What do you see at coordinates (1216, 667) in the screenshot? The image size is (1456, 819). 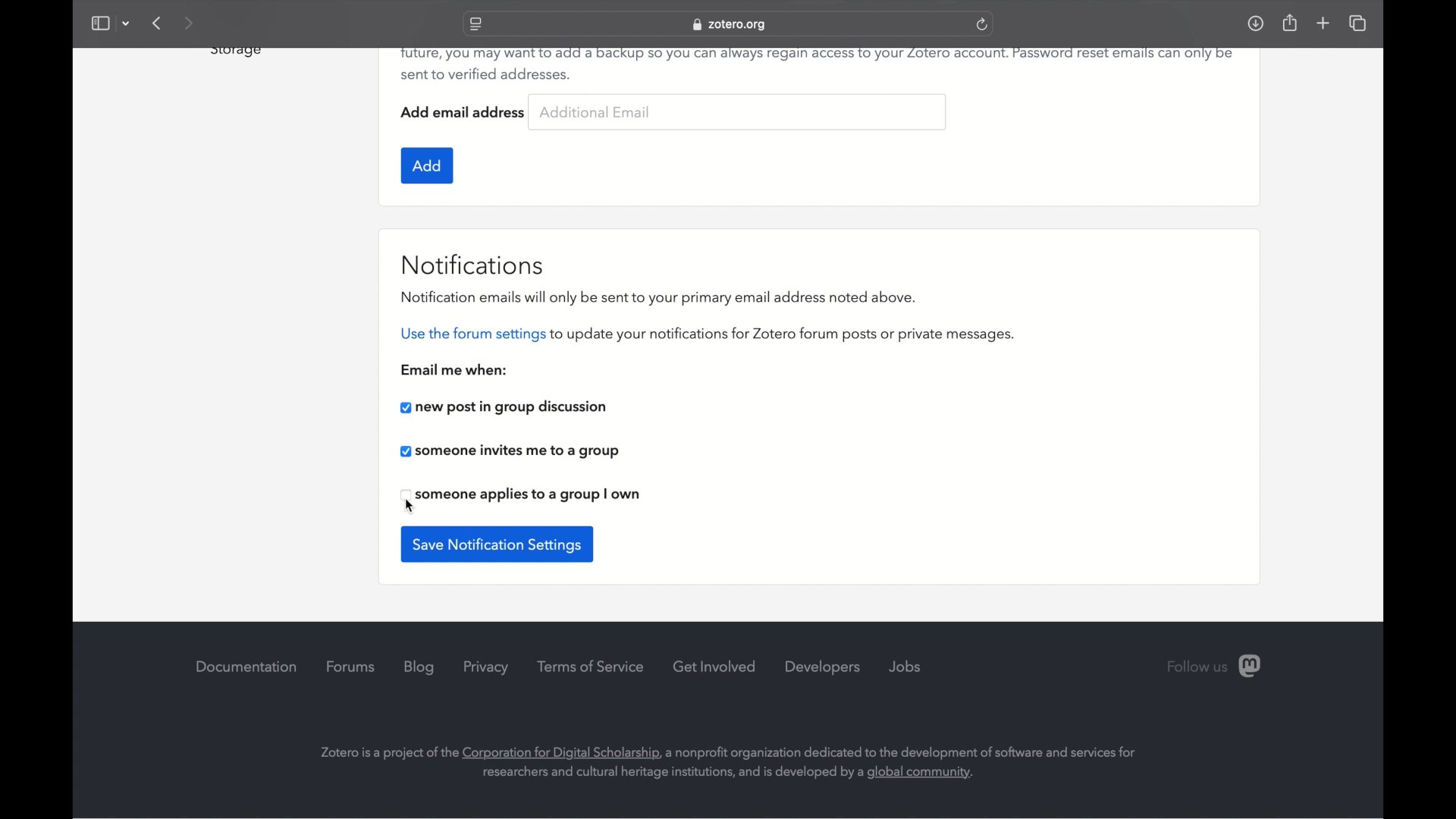 I see `follow us` at bounding box center [1216, 667].